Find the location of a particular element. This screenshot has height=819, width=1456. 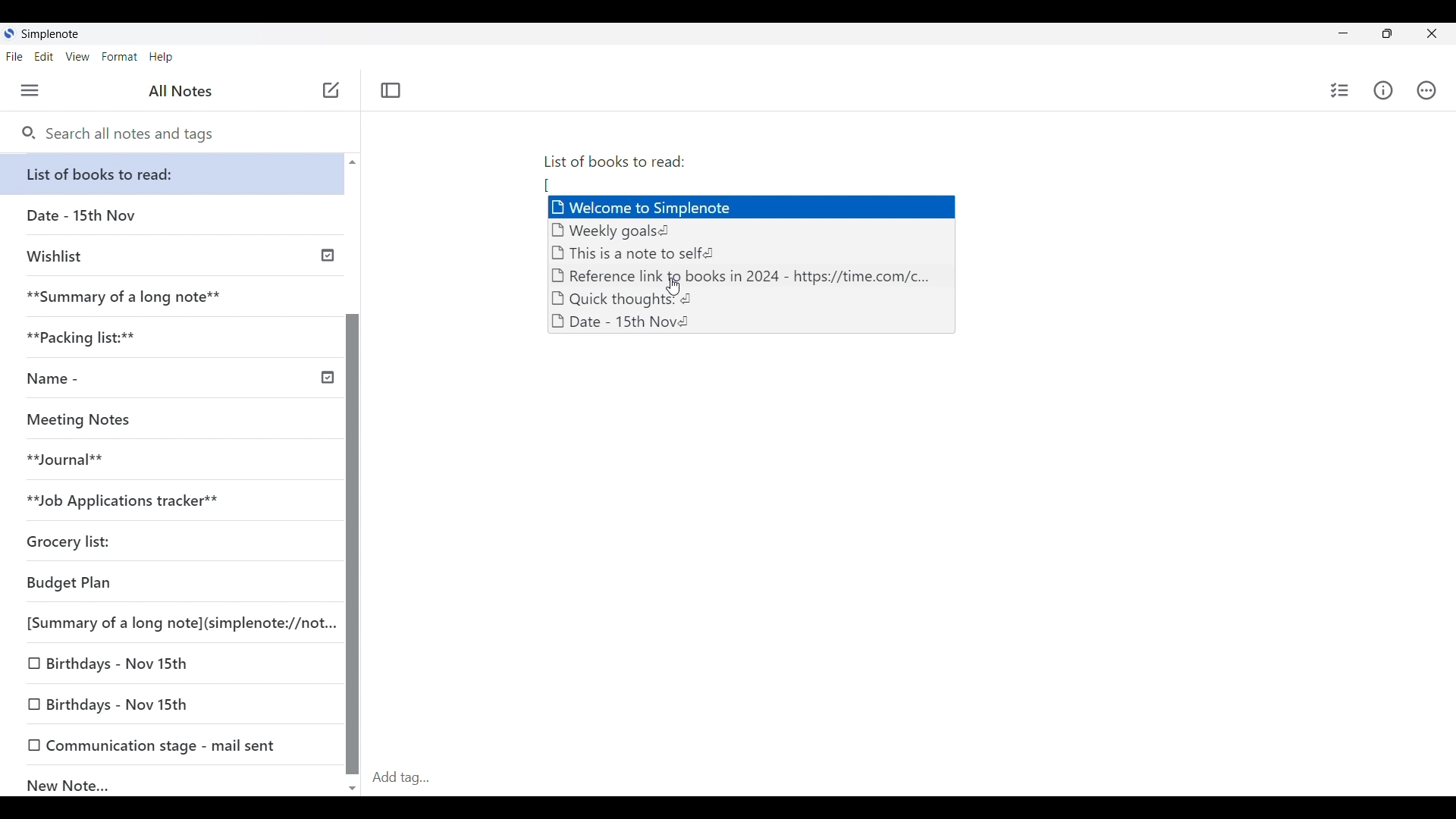

Resize is located at coordinates (1382, 35).